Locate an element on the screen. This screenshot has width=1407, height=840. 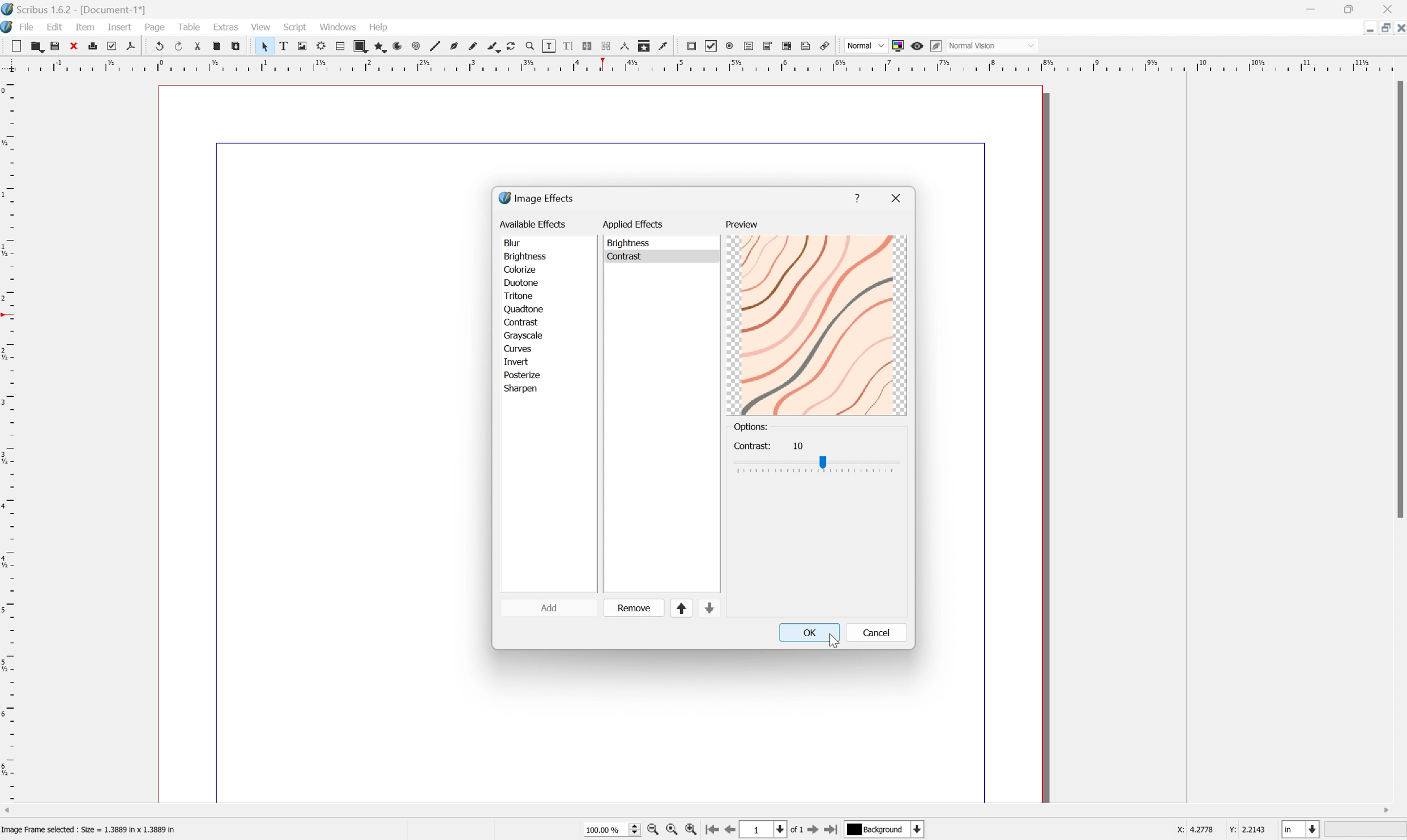
blur is located at coordinates (515, 241).